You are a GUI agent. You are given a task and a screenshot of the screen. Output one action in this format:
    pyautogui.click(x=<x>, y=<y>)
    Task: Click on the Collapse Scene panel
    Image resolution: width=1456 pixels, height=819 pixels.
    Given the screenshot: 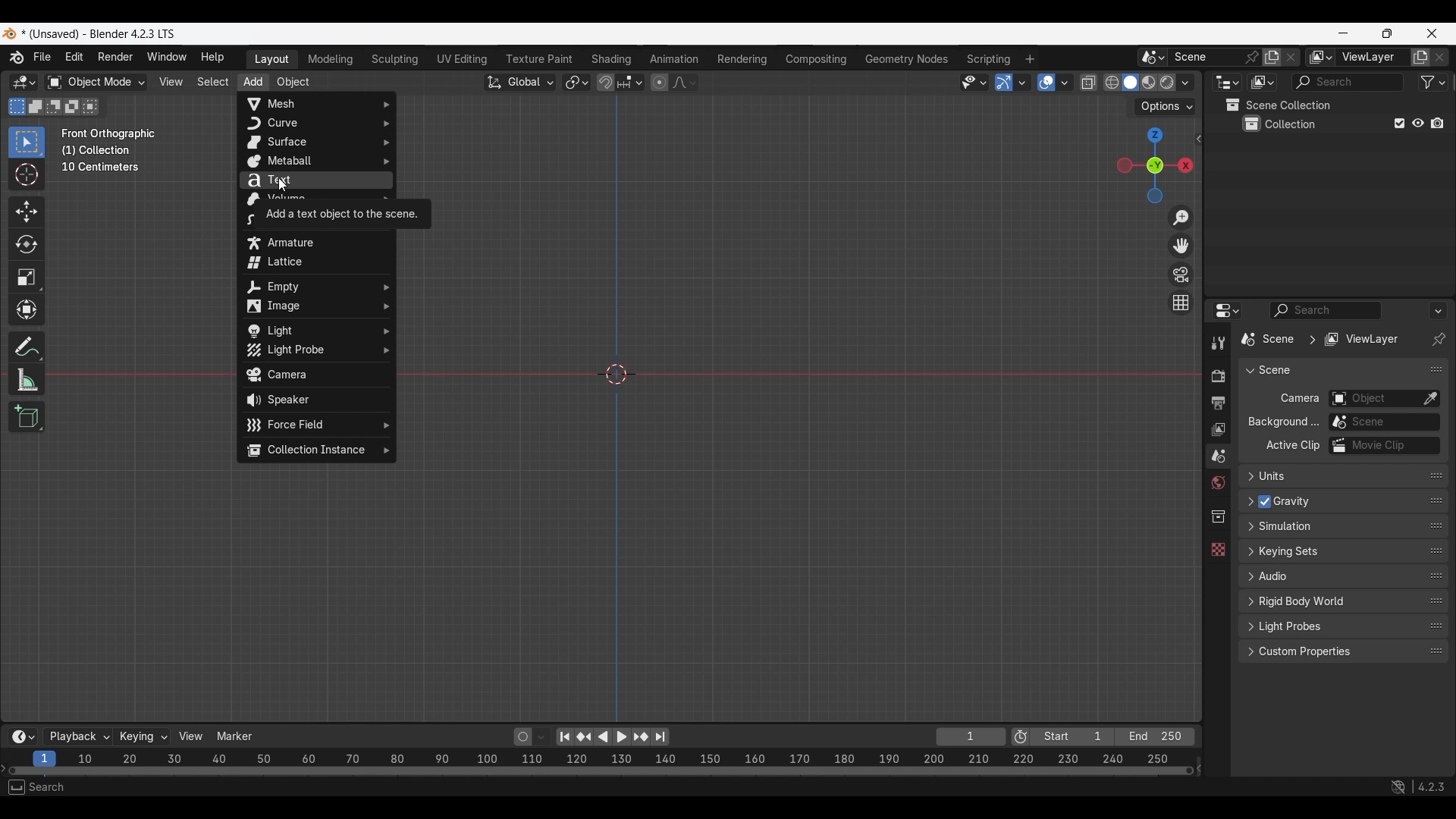 What is the action you would take?
    pyautogui.click(x=1332, y=369)
    